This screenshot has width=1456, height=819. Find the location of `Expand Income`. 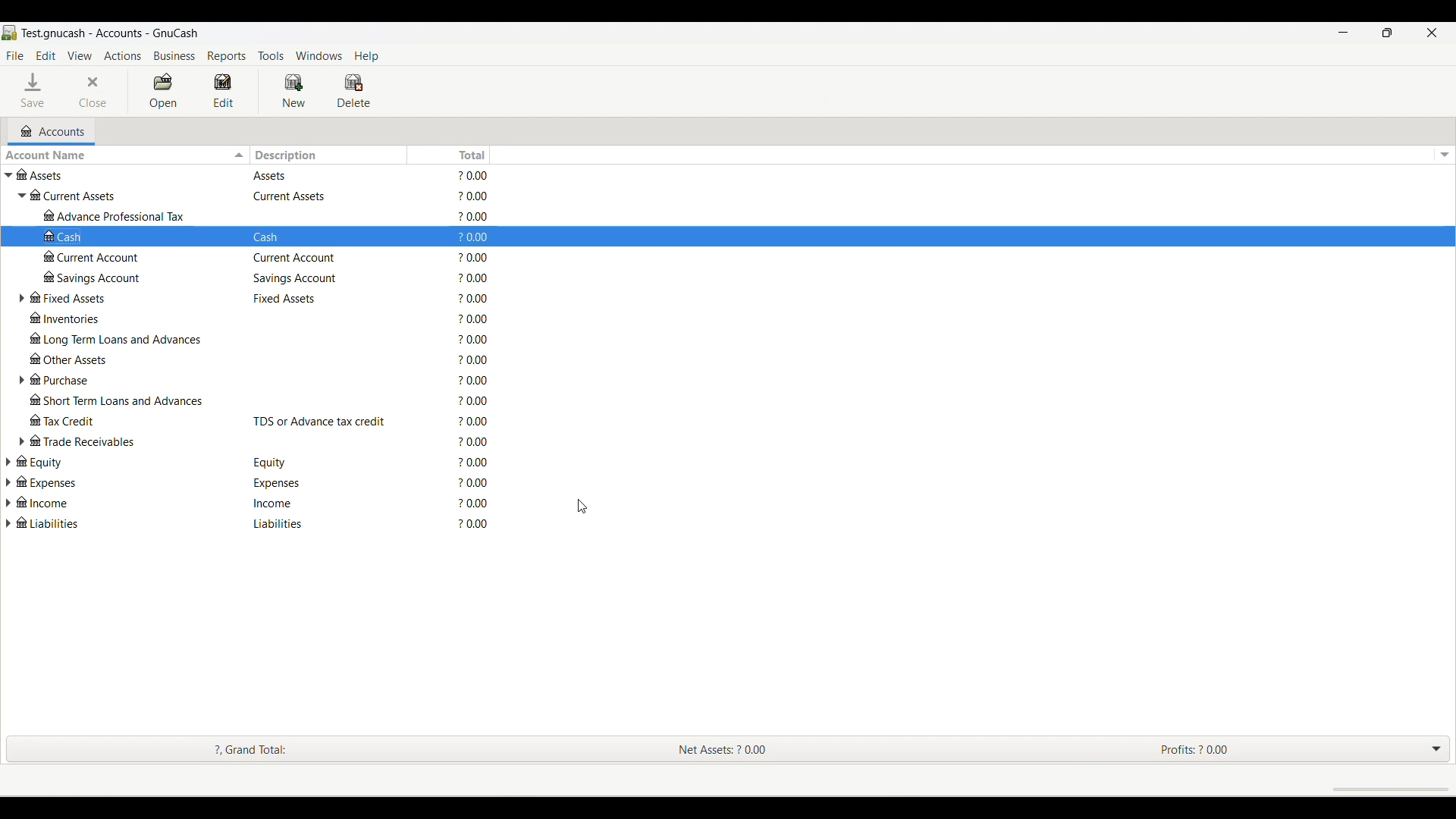

Expand Income is located at coordinates (8, 503).